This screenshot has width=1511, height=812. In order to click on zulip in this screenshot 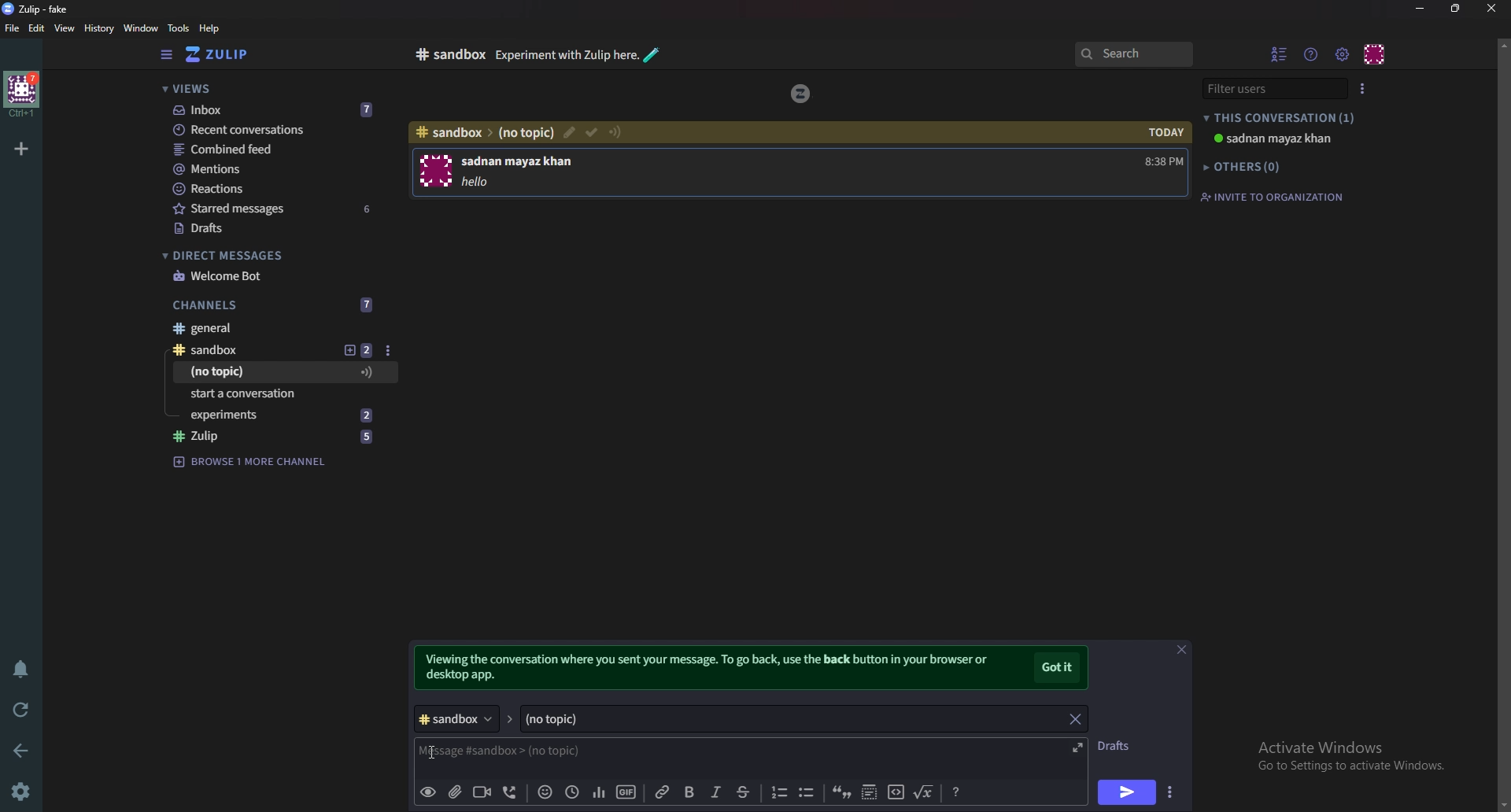, I will do `click(217, 54)`.